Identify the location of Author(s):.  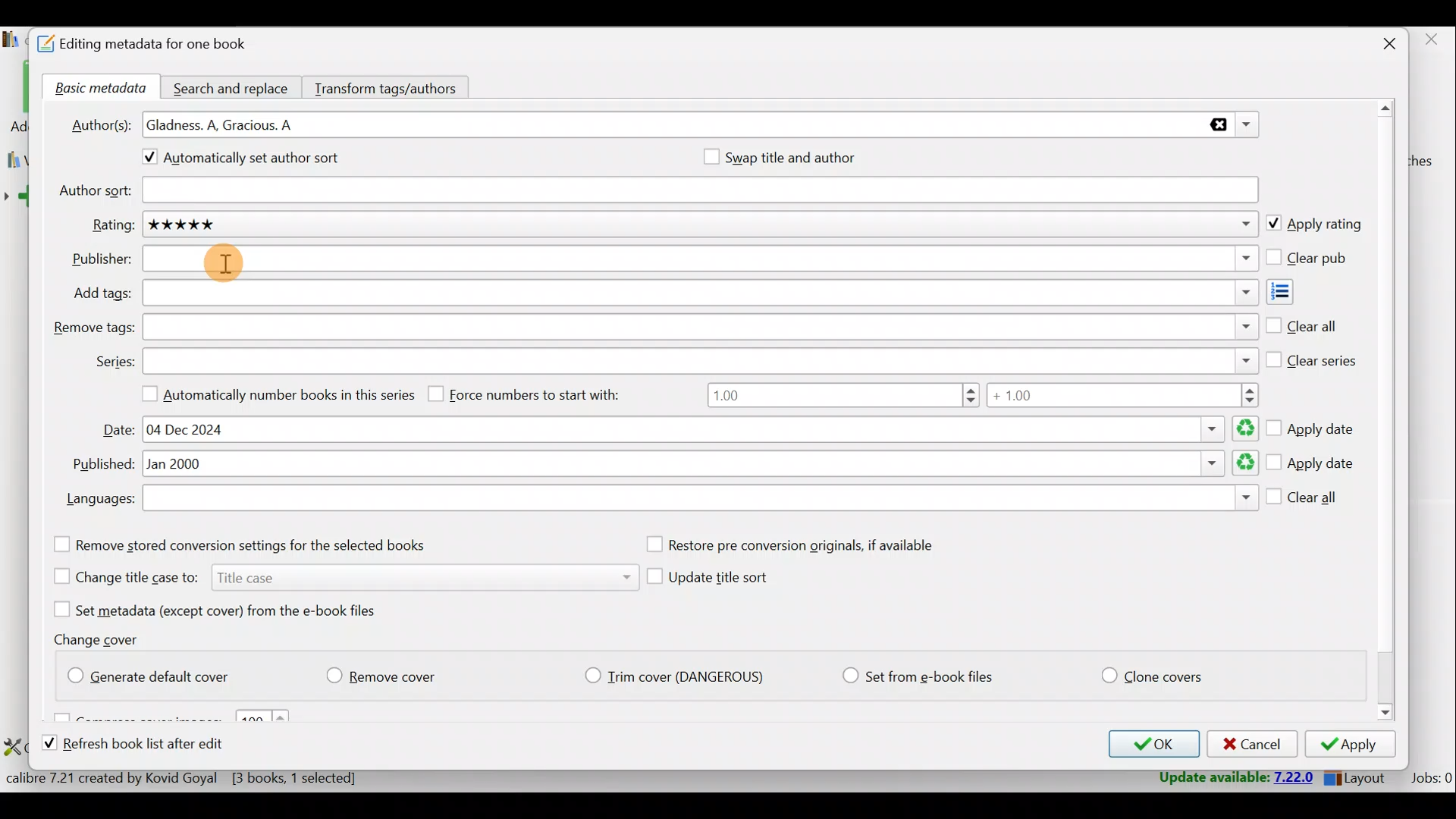
(101, 123).